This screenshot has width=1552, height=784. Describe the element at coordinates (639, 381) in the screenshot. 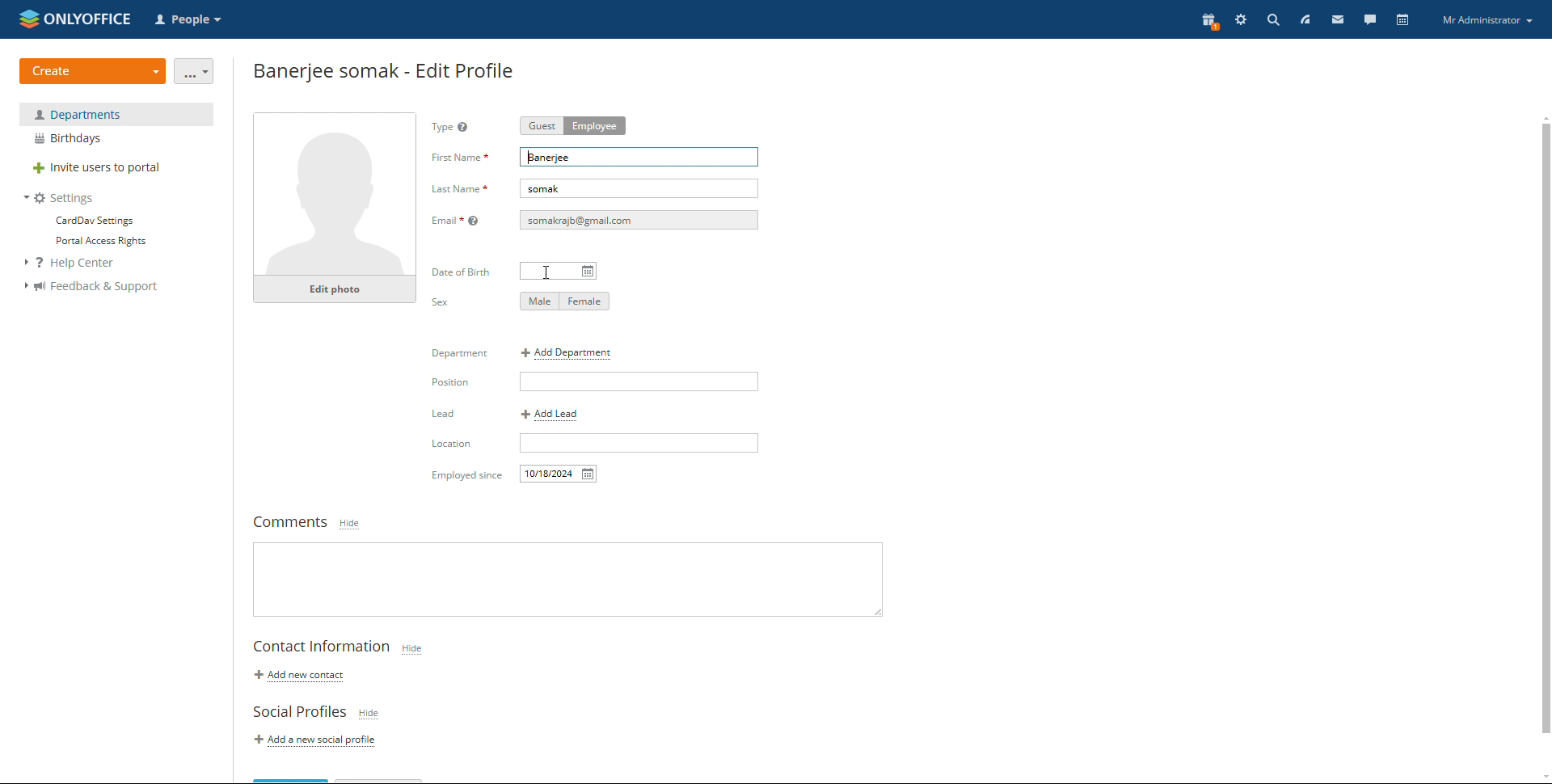

I see `position` at that location.